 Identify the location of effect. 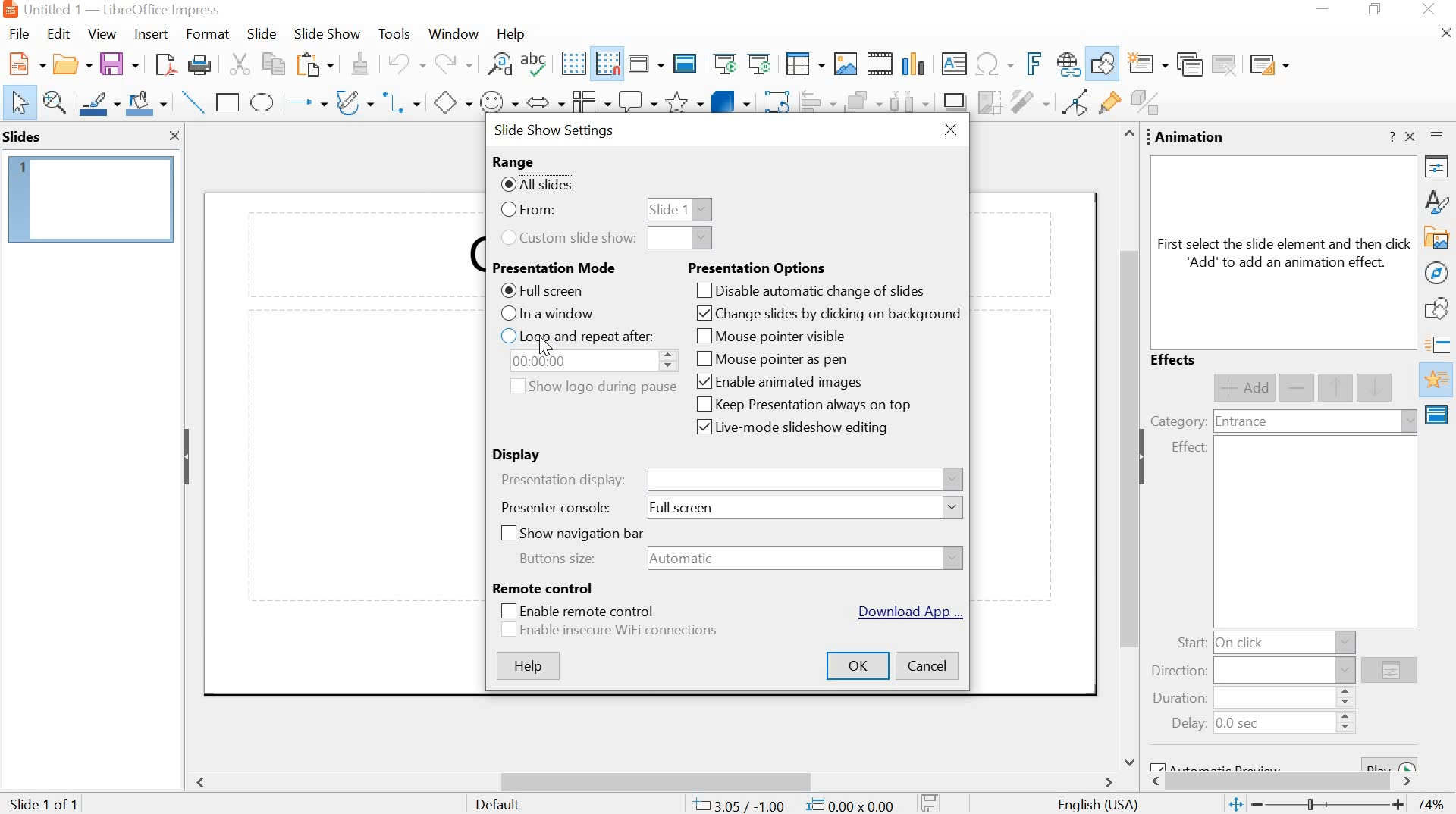
(1189, 448).